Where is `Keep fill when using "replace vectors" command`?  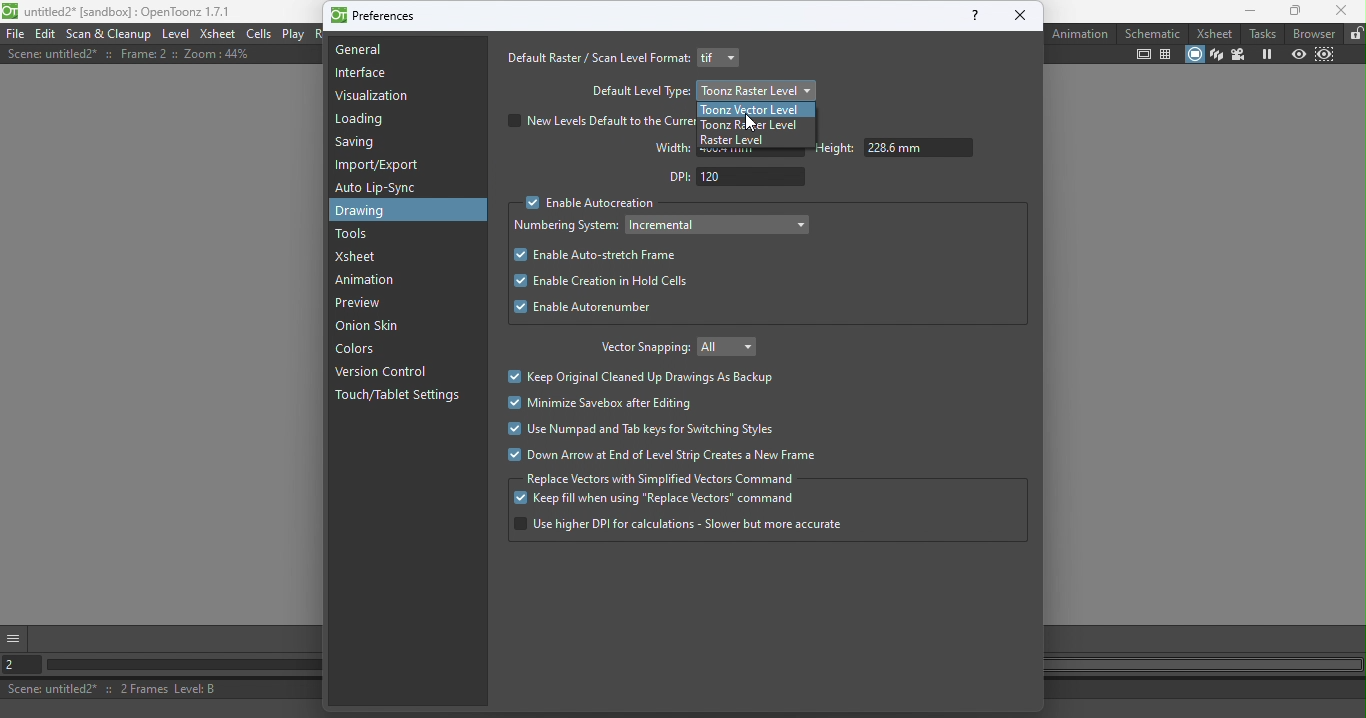 Keep fill when using "replace vectors" command is located at coordinates (656, 501).